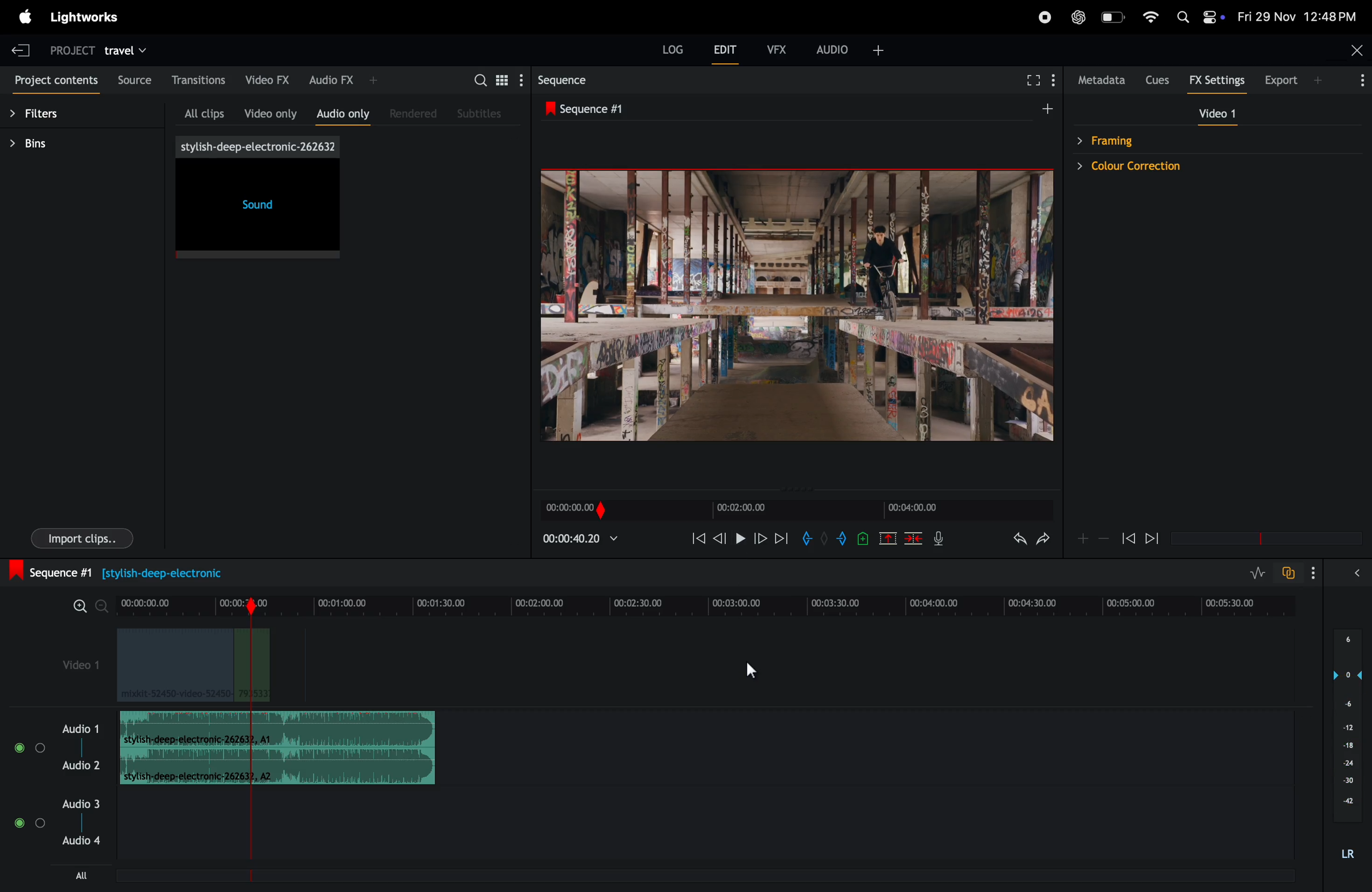 This screenshot has height=892, width=1372. What do you see at coordinates (1181, 14) in the screenshot?
I see `Spotlight.` at bounding box center [1181, 14].